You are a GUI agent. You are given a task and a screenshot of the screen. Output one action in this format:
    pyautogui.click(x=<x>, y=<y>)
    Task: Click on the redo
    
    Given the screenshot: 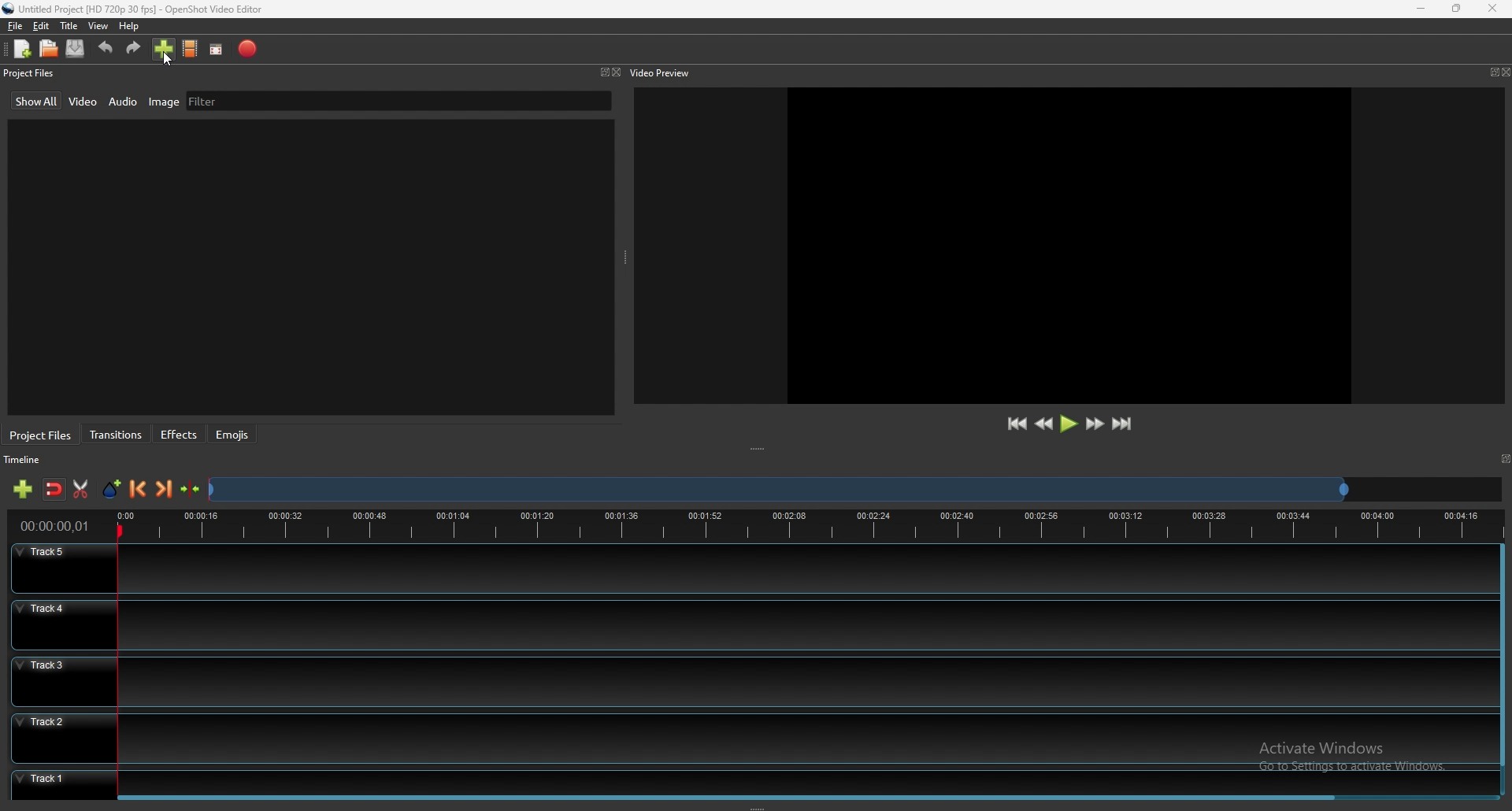 What is the action you would take?
    pyautogui.click(x=133, y=48)
    